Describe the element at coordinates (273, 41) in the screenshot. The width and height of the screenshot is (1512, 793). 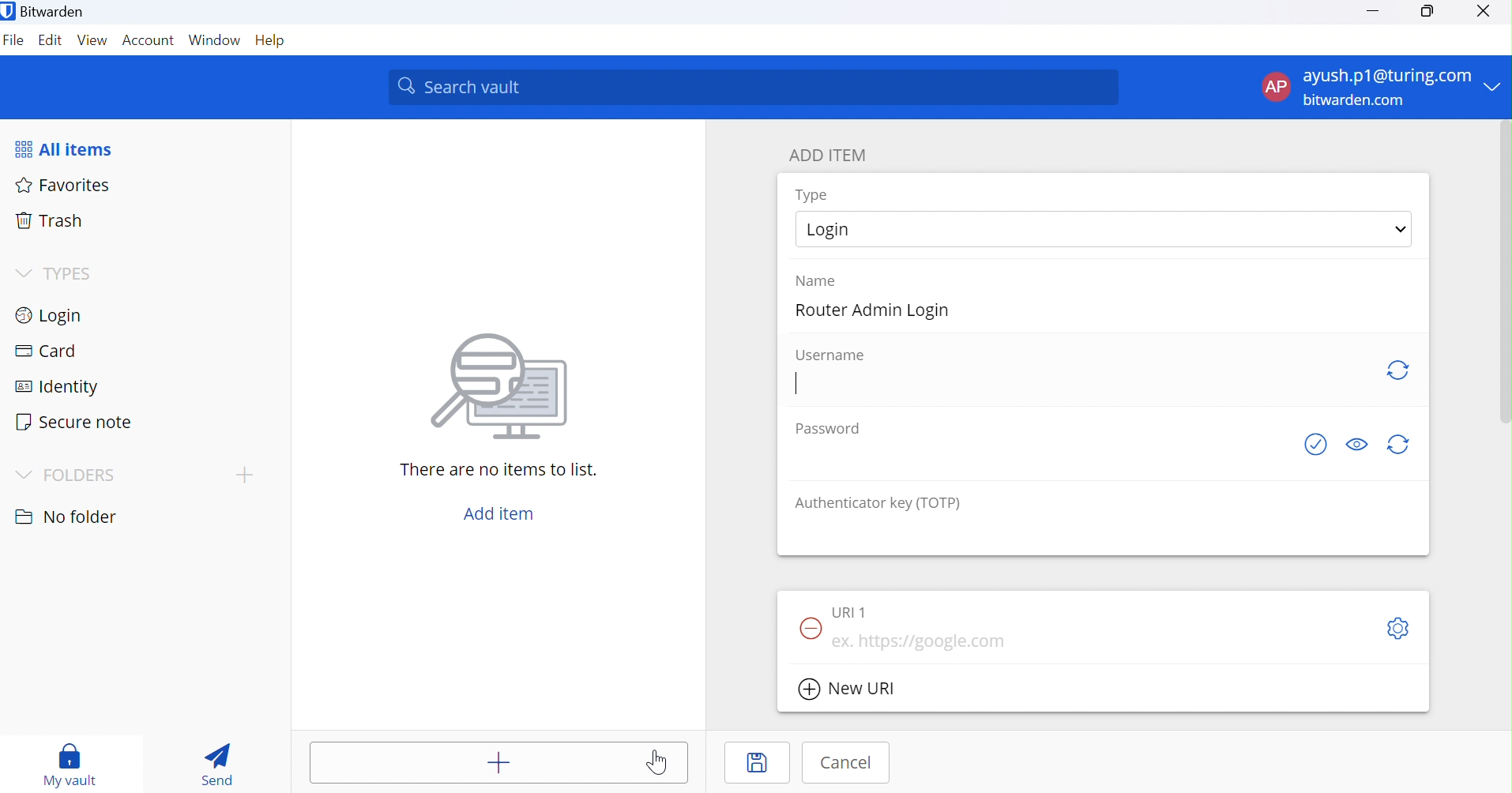
I see `Help` at that location.